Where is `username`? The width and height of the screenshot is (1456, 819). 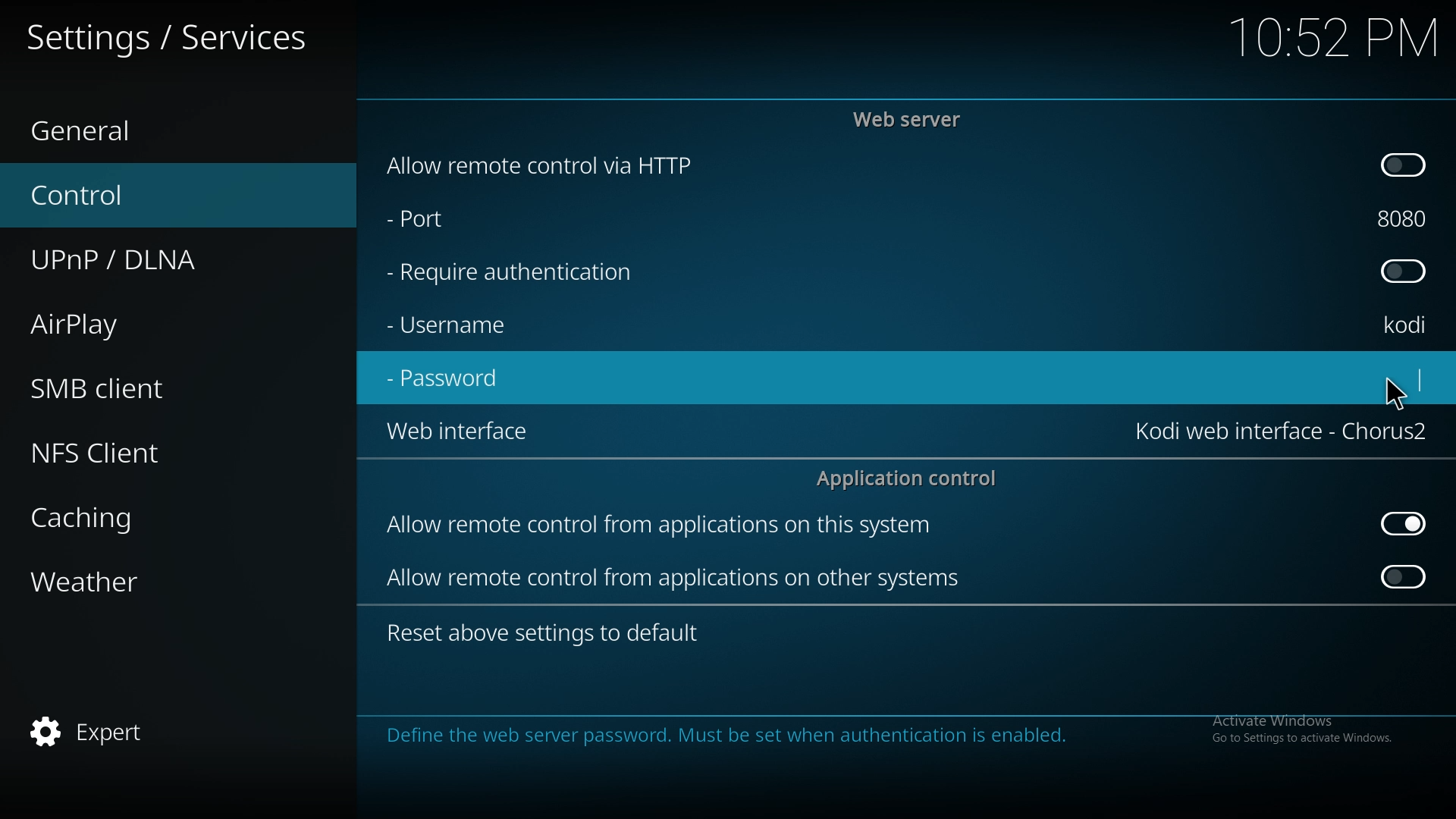
username is located at coordinates (462, 324).